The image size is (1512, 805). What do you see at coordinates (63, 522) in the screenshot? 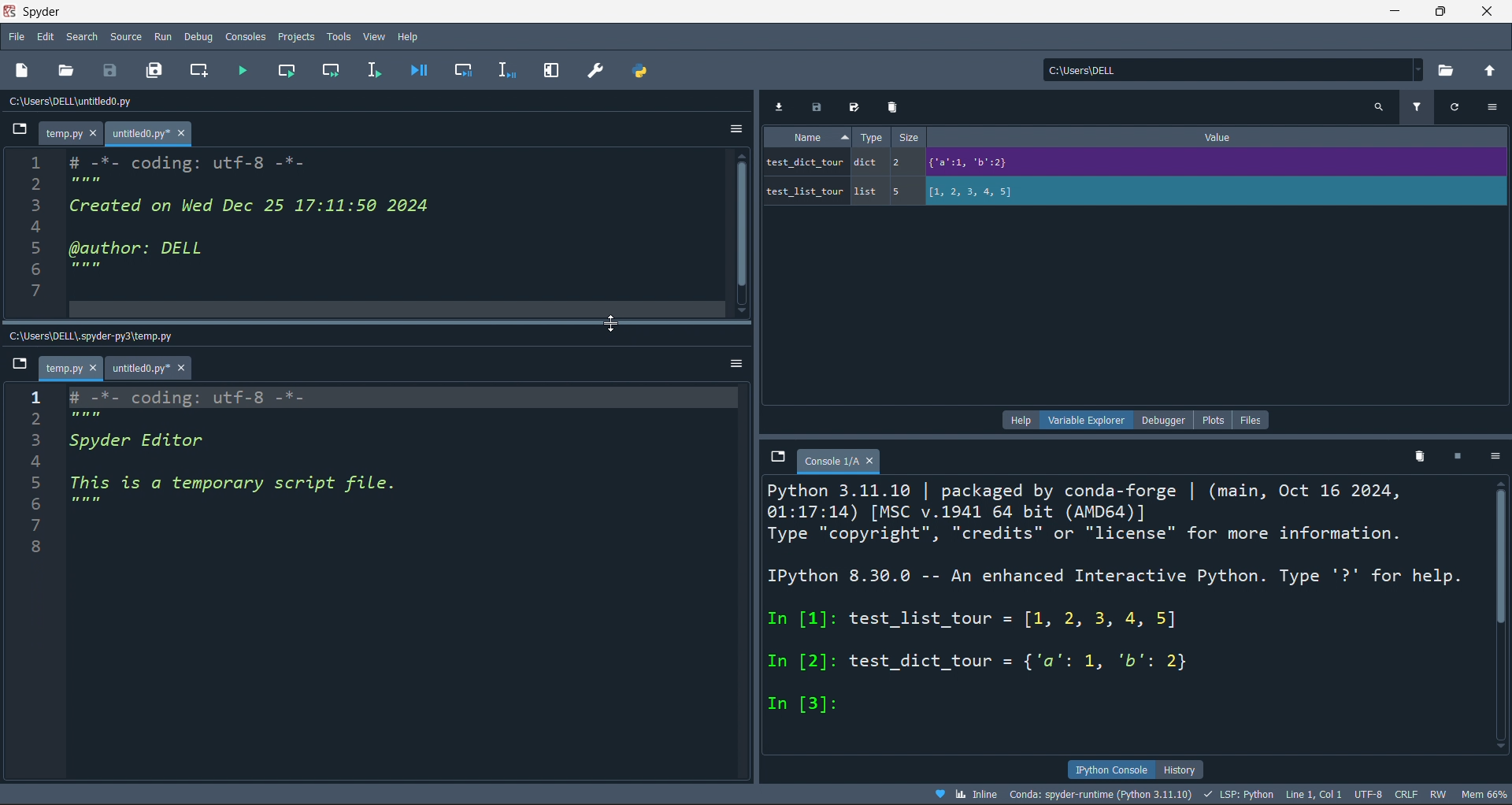
I see `7` at bounding box center [63, 522].